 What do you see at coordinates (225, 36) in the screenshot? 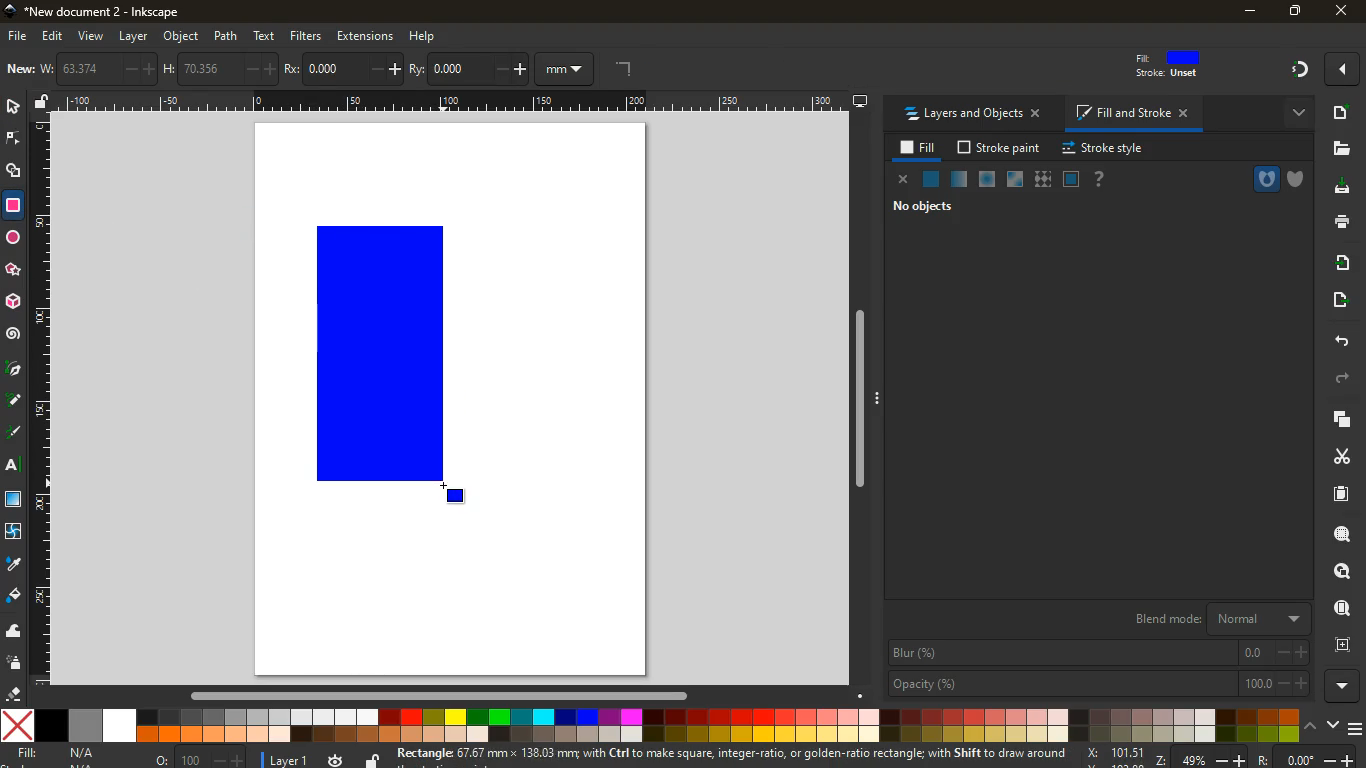
I see `path` at bounding box center [225, 36].